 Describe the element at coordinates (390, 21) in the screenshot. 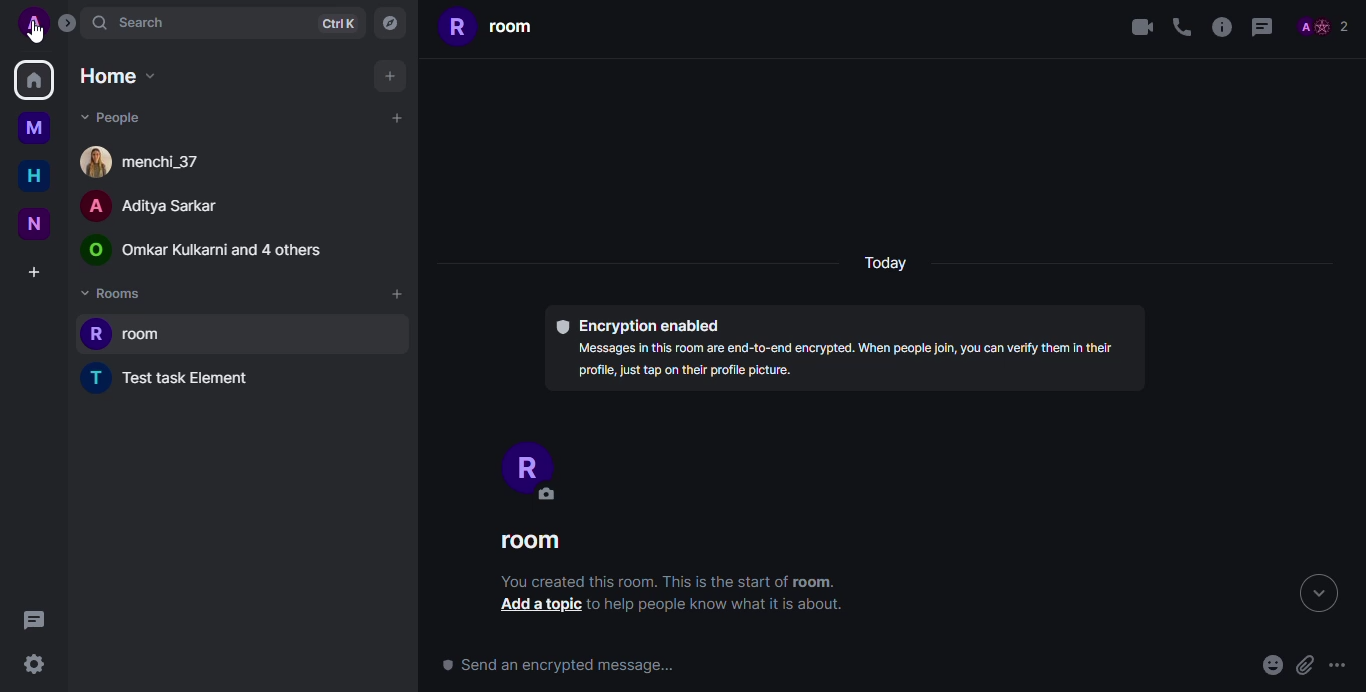

I see `navigator` at that location.